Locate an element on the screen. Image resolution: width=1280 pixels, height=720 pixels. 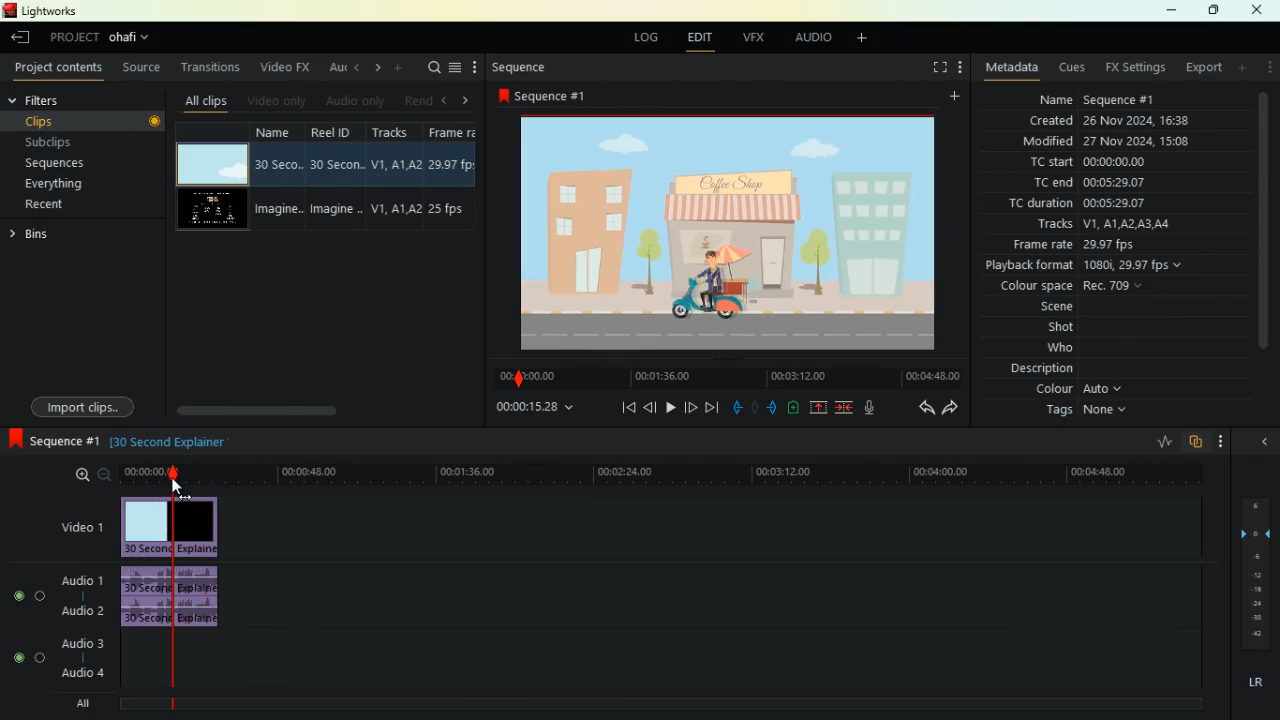
left is located at coordinates (446, 102).